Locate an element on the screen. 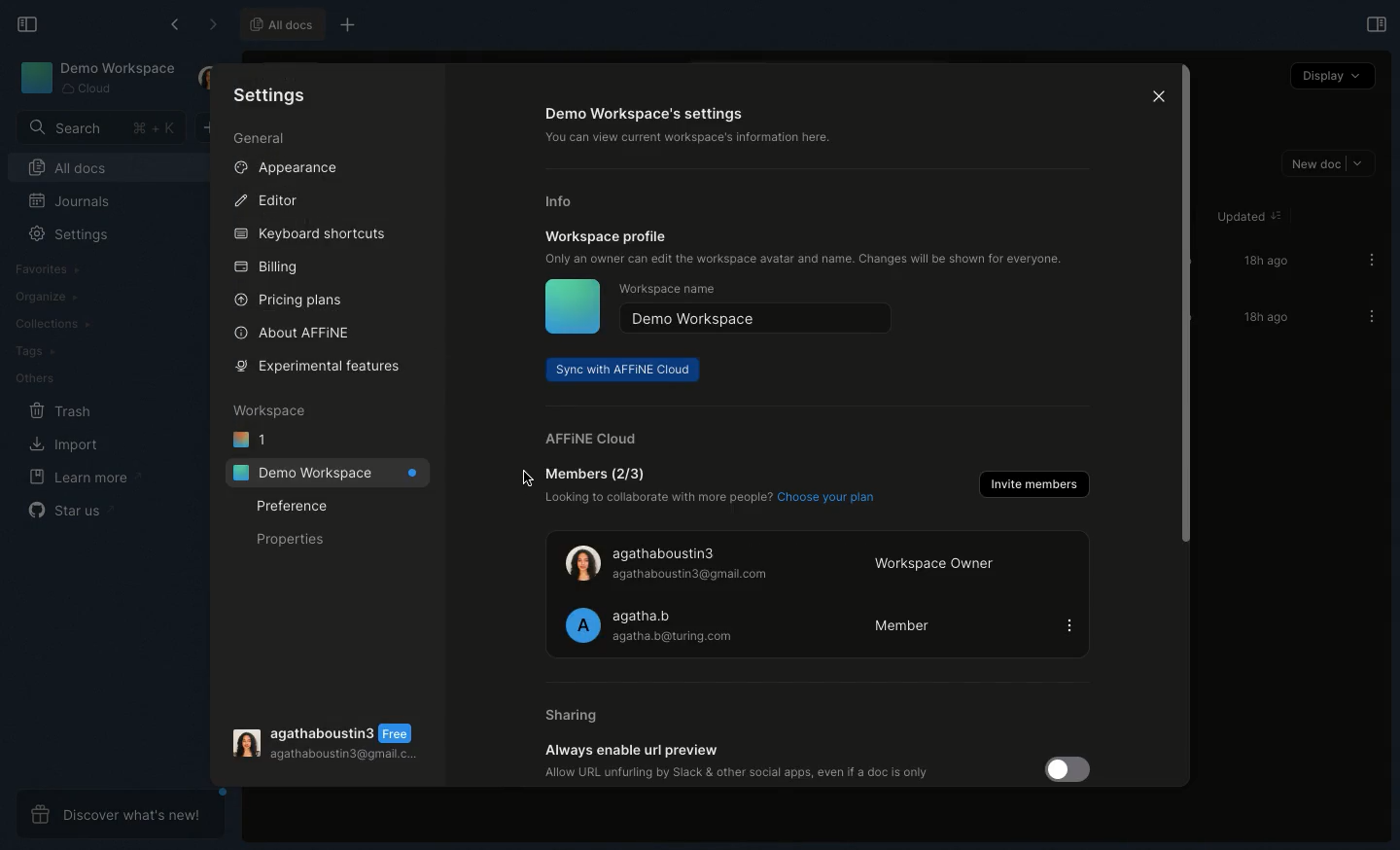  Properties is located at coordinates (294, 538).